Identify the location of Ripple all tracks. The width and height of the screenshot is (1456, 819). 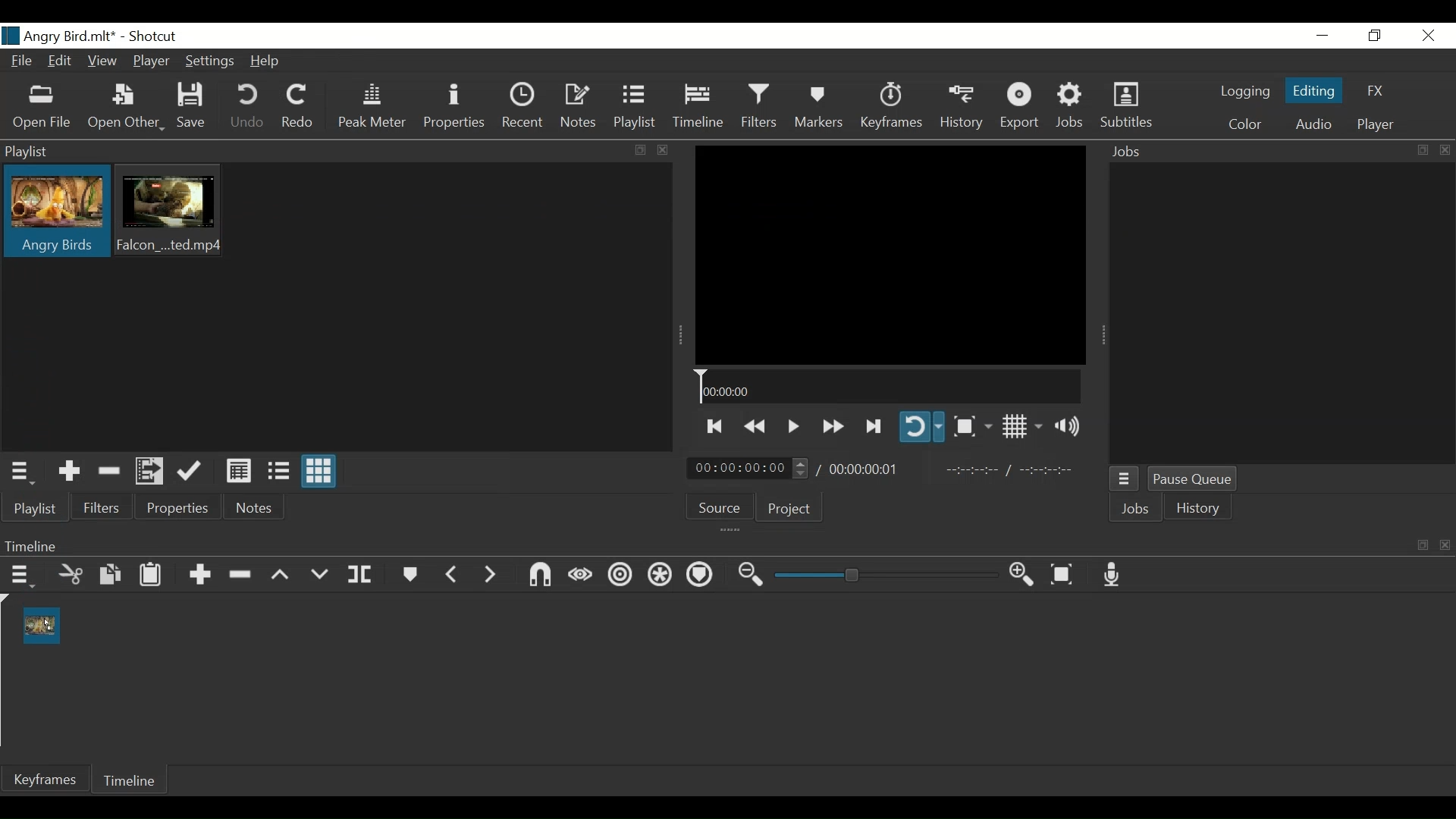
(659, 576).